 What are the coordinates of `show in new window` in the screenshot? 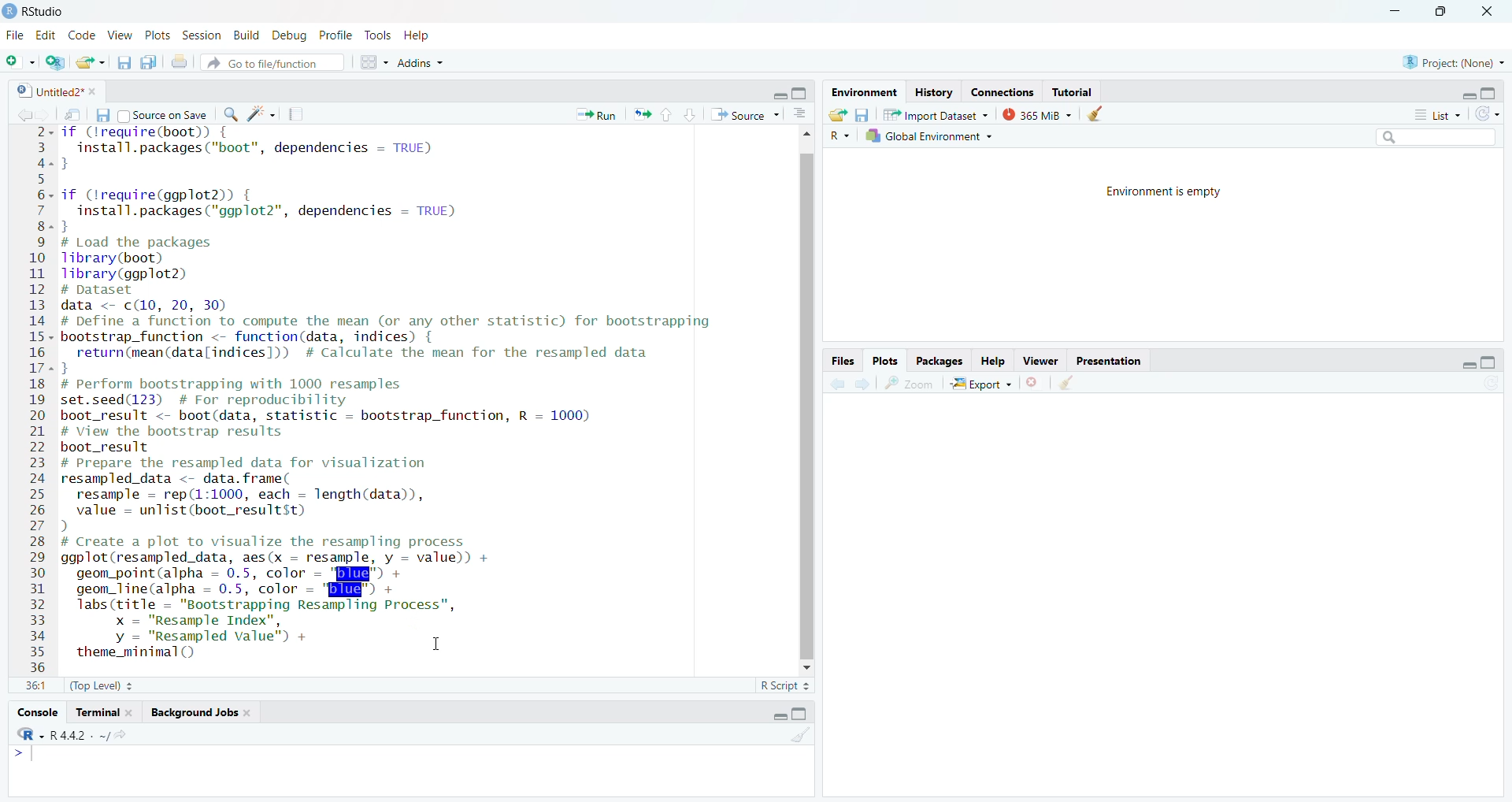 It's located at (74, 115).